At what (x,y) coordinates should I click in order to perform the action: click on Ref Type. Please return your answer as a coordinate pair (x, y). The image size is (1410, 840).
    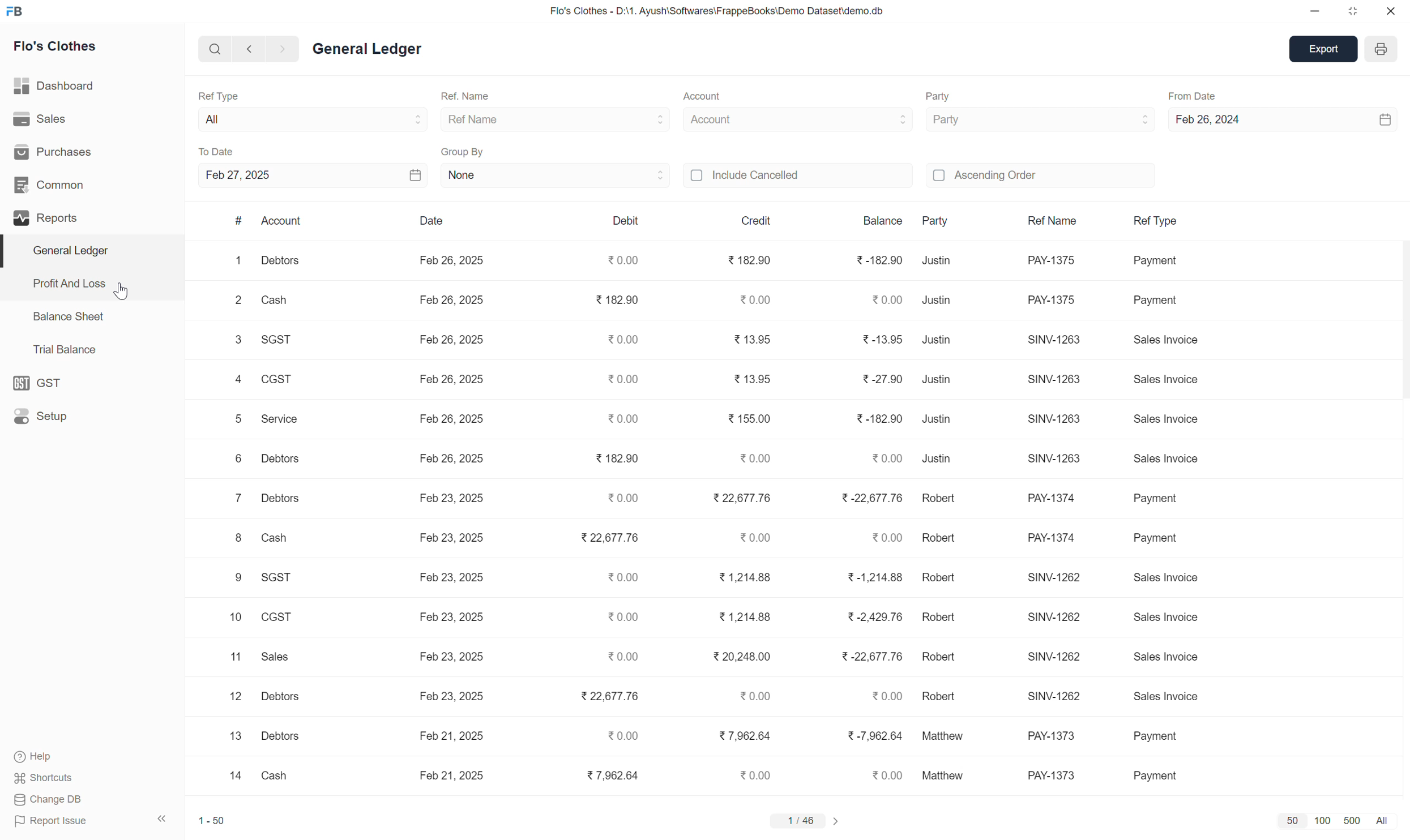
    Looking at the image, I should click on (1156, 222).